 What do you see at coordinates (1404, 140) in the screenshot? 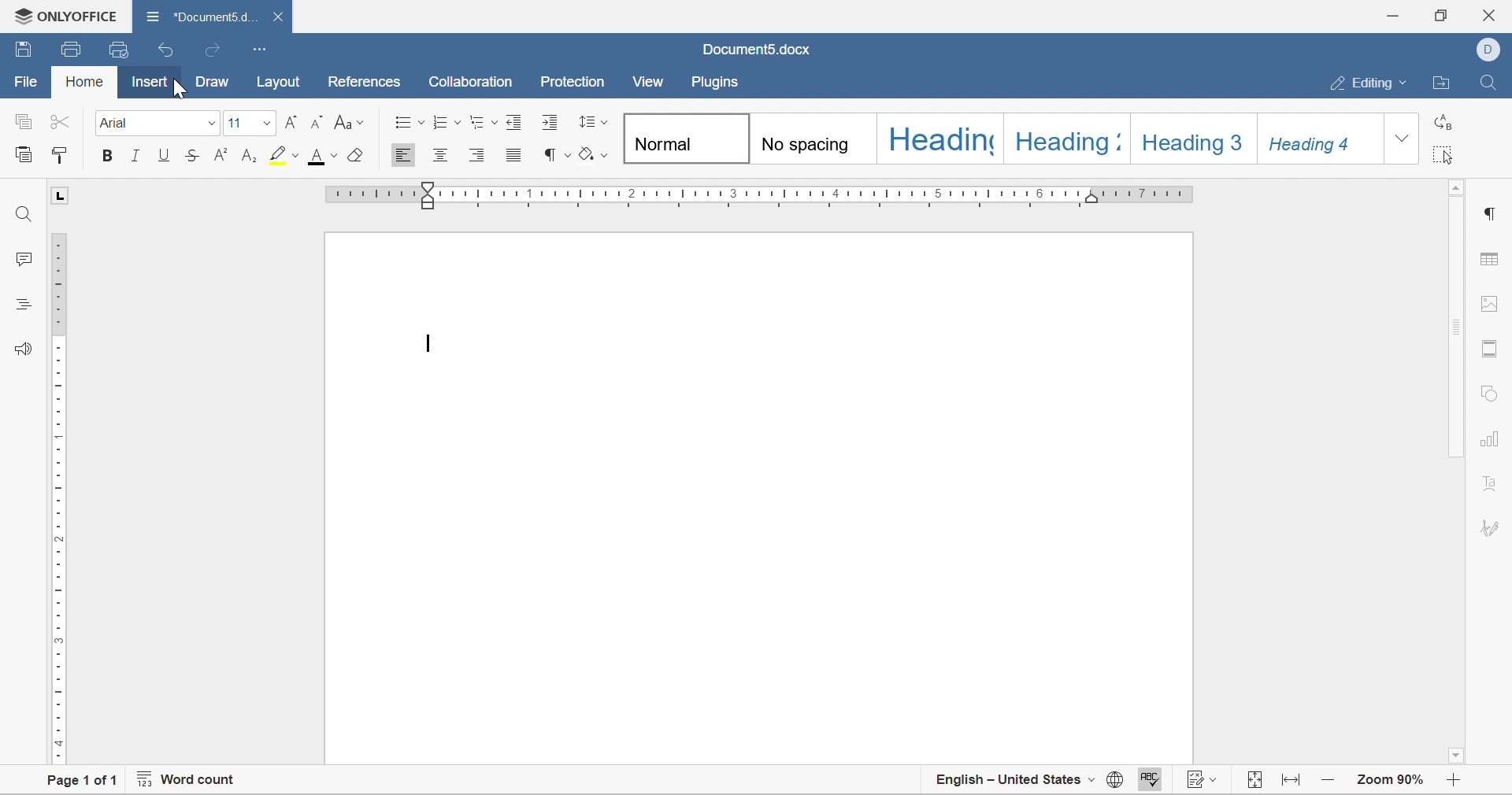
I see `drop down` at bounding box center [1404, 140].